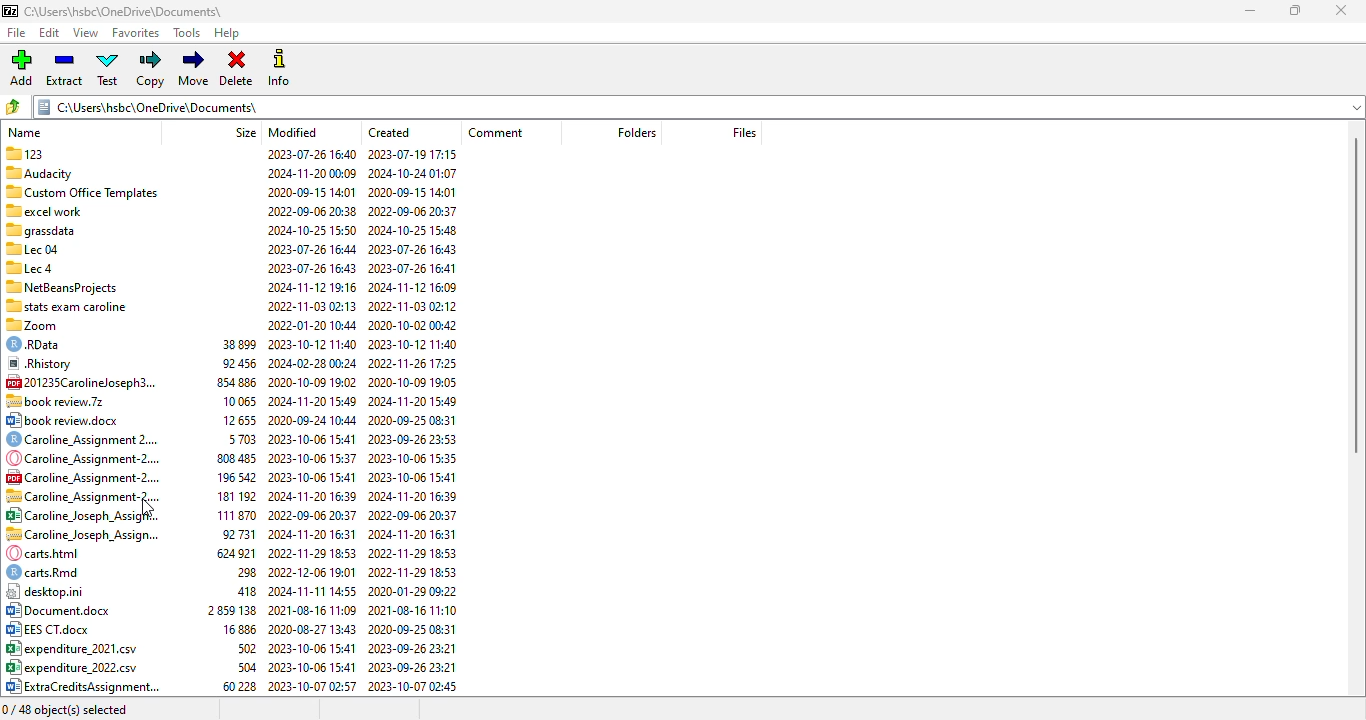  Describe the element at coordinates (229, 306) in the screenshot. I see `1 stats exam caroline 2022-11-03 02:13 2022-11-03 02:12` at that location.